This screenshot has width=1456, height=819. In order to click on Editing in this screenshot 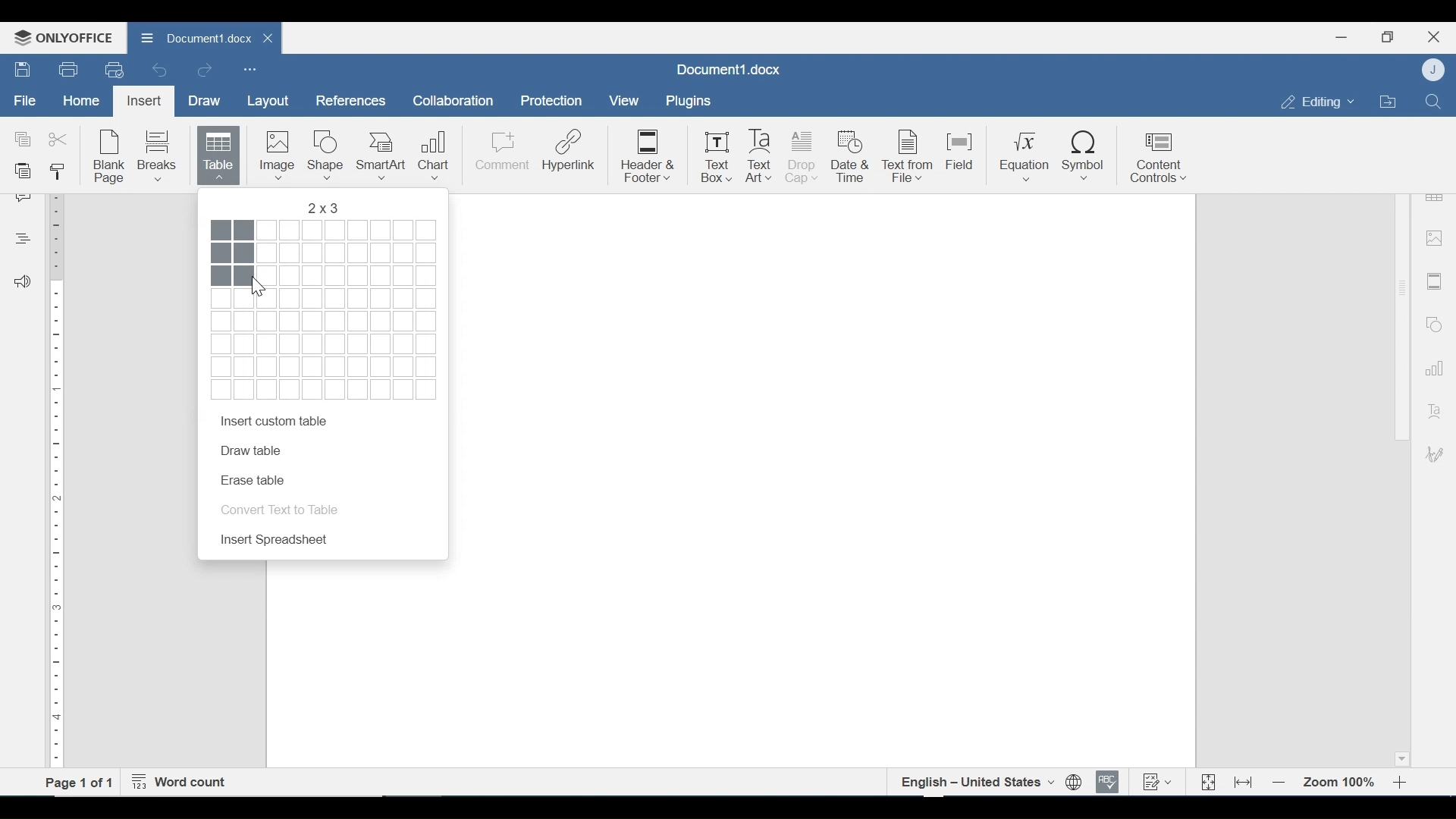, I will do `click(1313, 102)`.